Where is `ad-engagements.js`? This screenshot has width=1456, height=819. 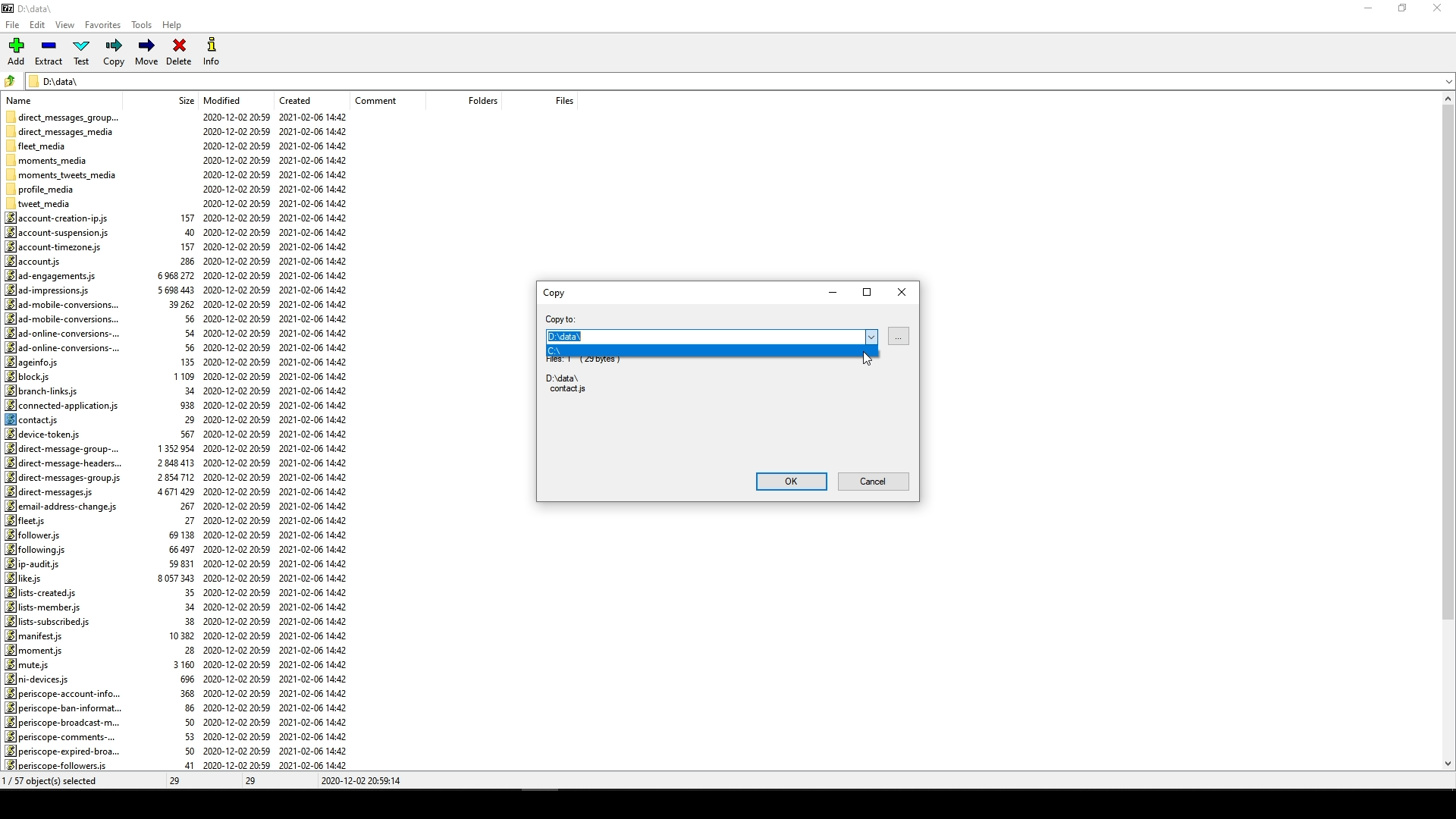 ad-engagements.js is located at coordinates (49, 275).